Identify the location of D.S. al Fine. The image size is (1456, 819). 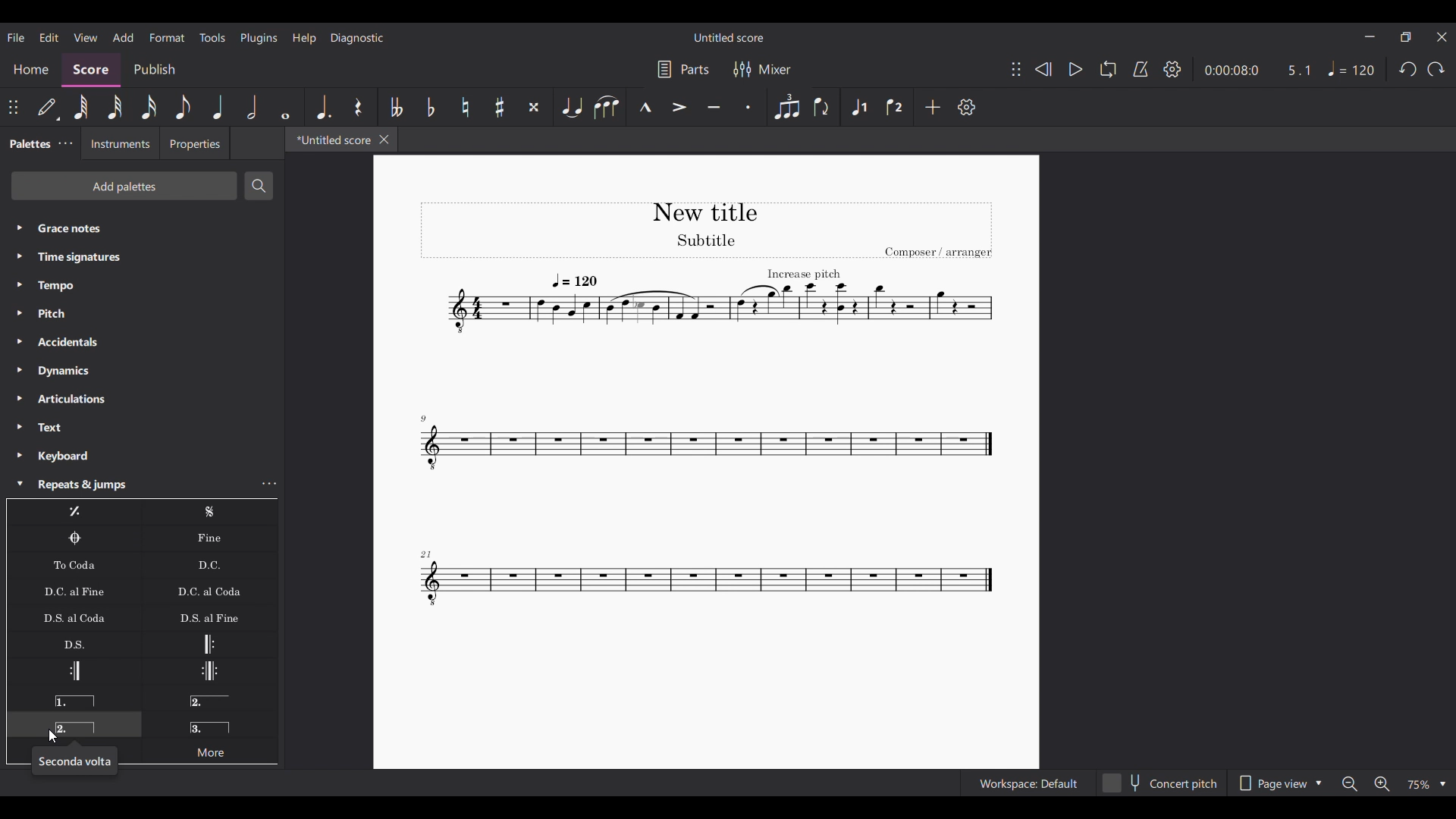
(209, 617).